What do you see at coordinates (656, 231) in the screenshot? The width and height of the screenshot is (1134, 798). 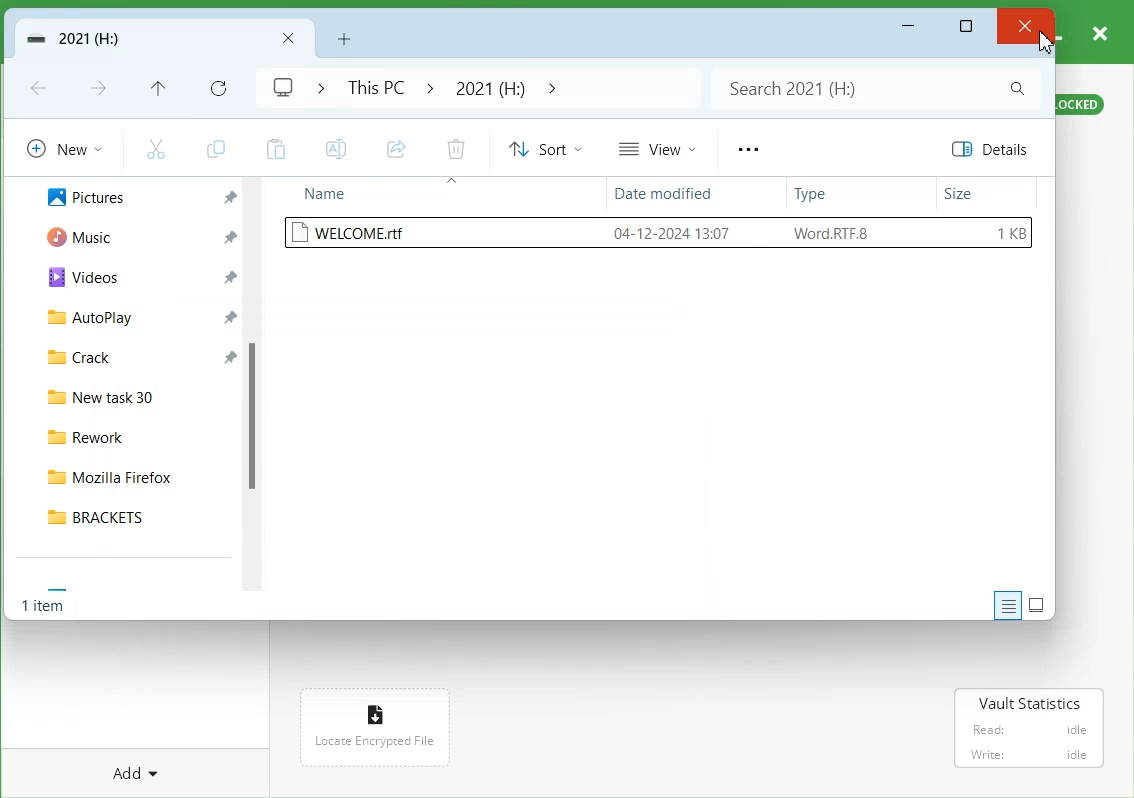 I see `welcome.rtf` at bounding box center [656, 231].